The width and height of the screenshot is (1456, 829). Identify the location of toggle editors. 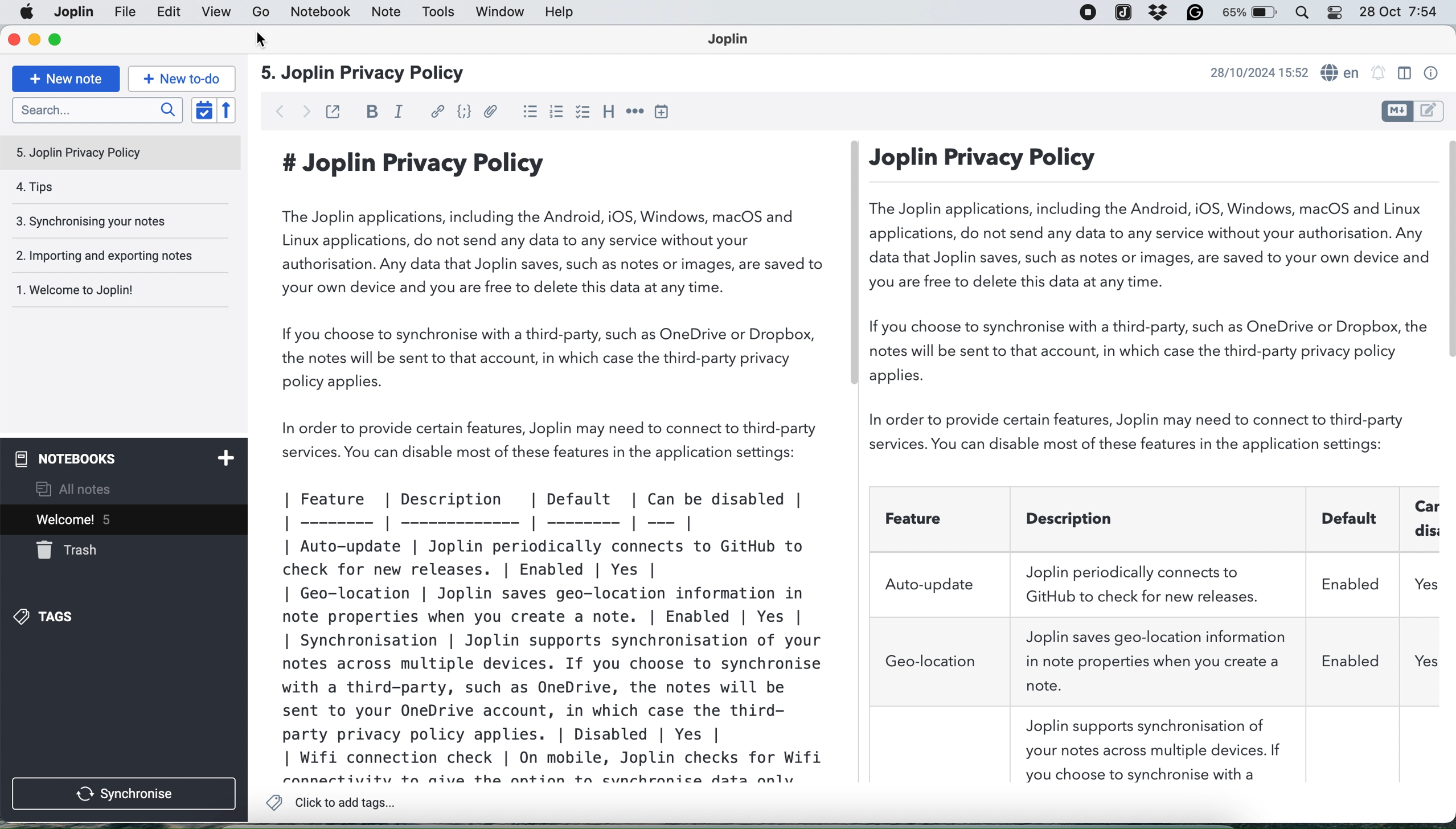
(1411, 110).